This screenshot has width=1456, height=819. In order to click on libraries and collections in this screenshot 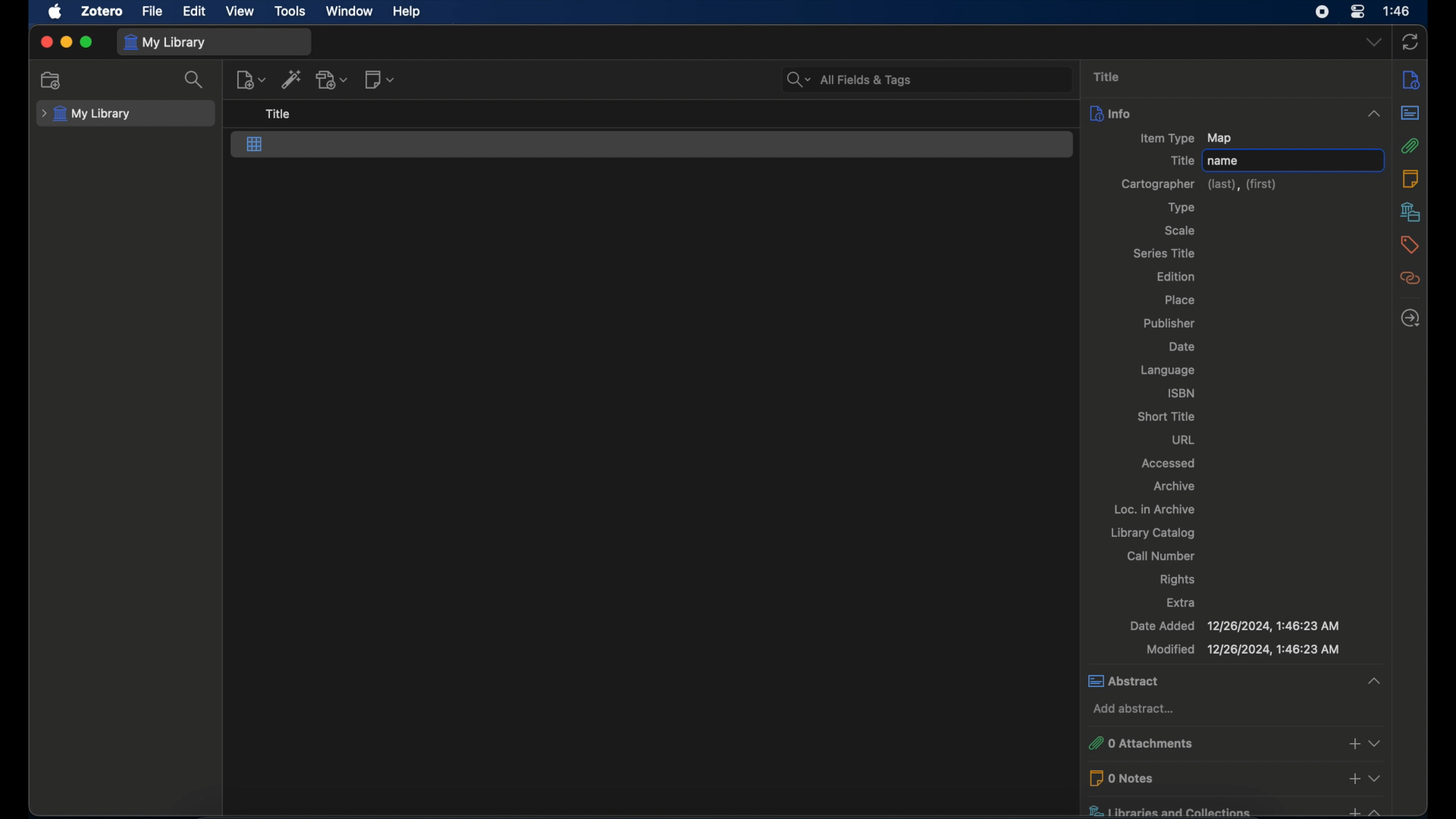, I will do `click(1207, 808)`.